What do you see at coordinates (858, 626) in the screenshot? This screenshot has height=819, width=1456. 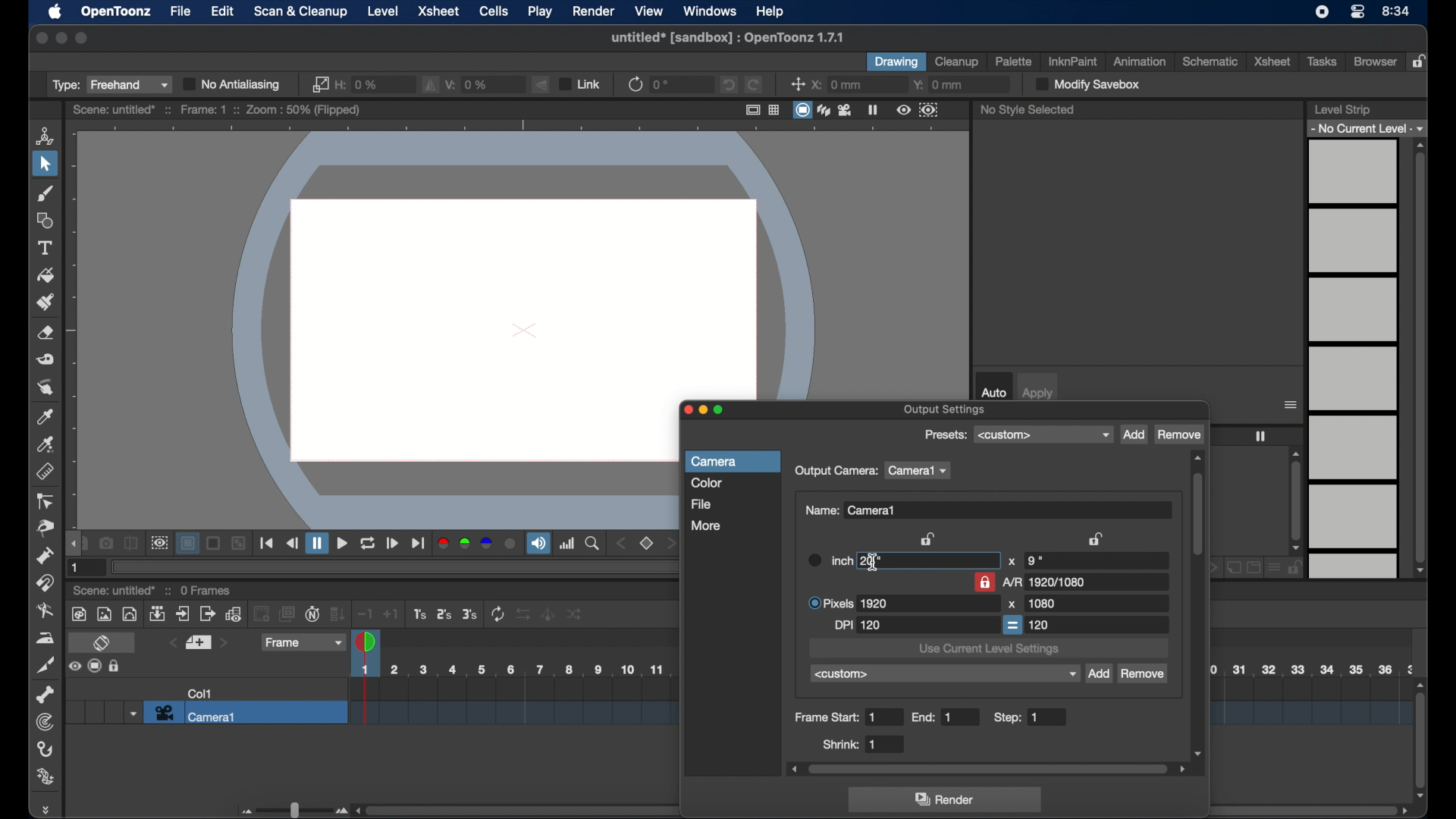 I see `dpi` at bounding box center [858, 626].